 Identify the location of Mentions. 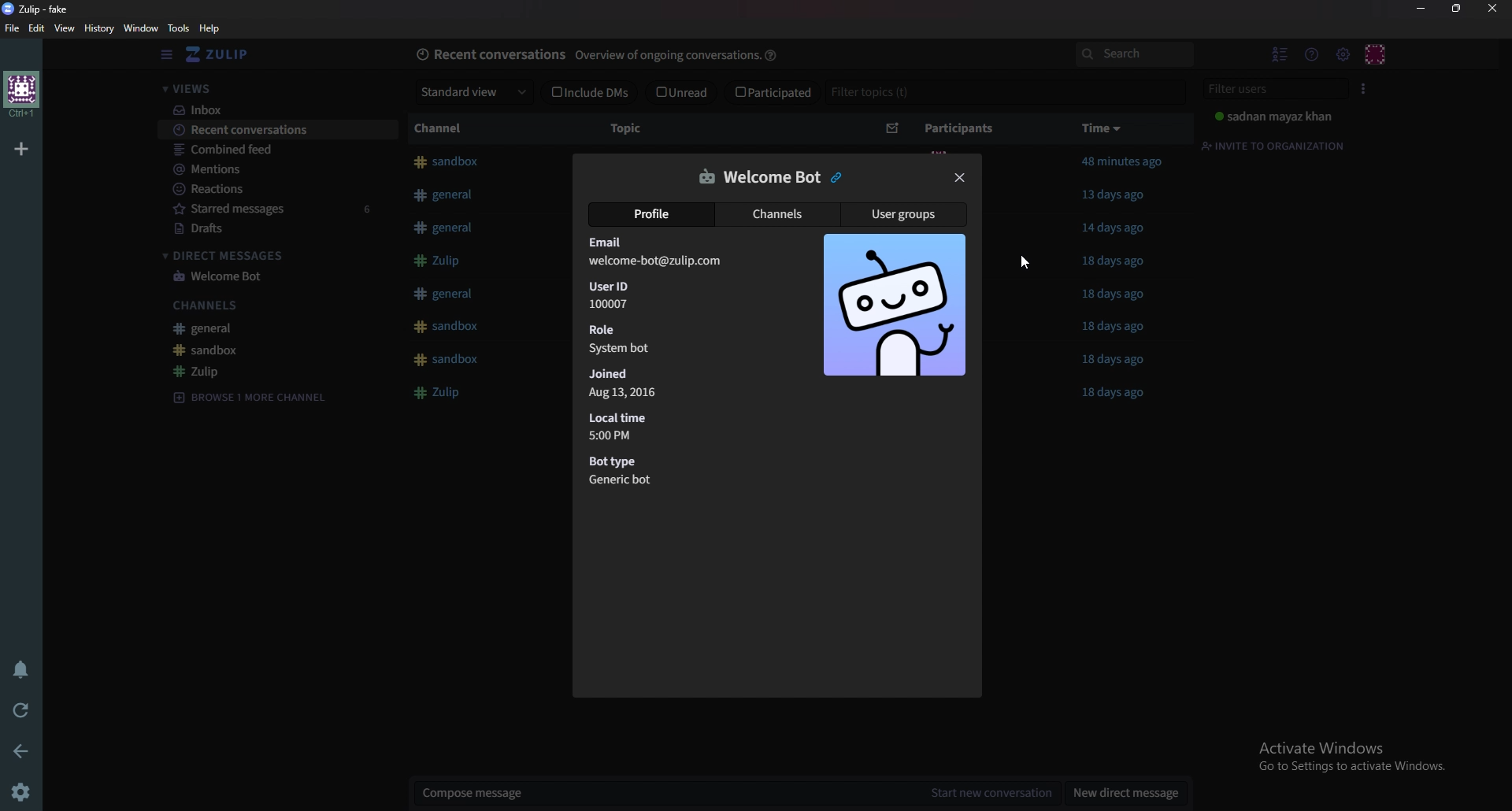
(272, 169).